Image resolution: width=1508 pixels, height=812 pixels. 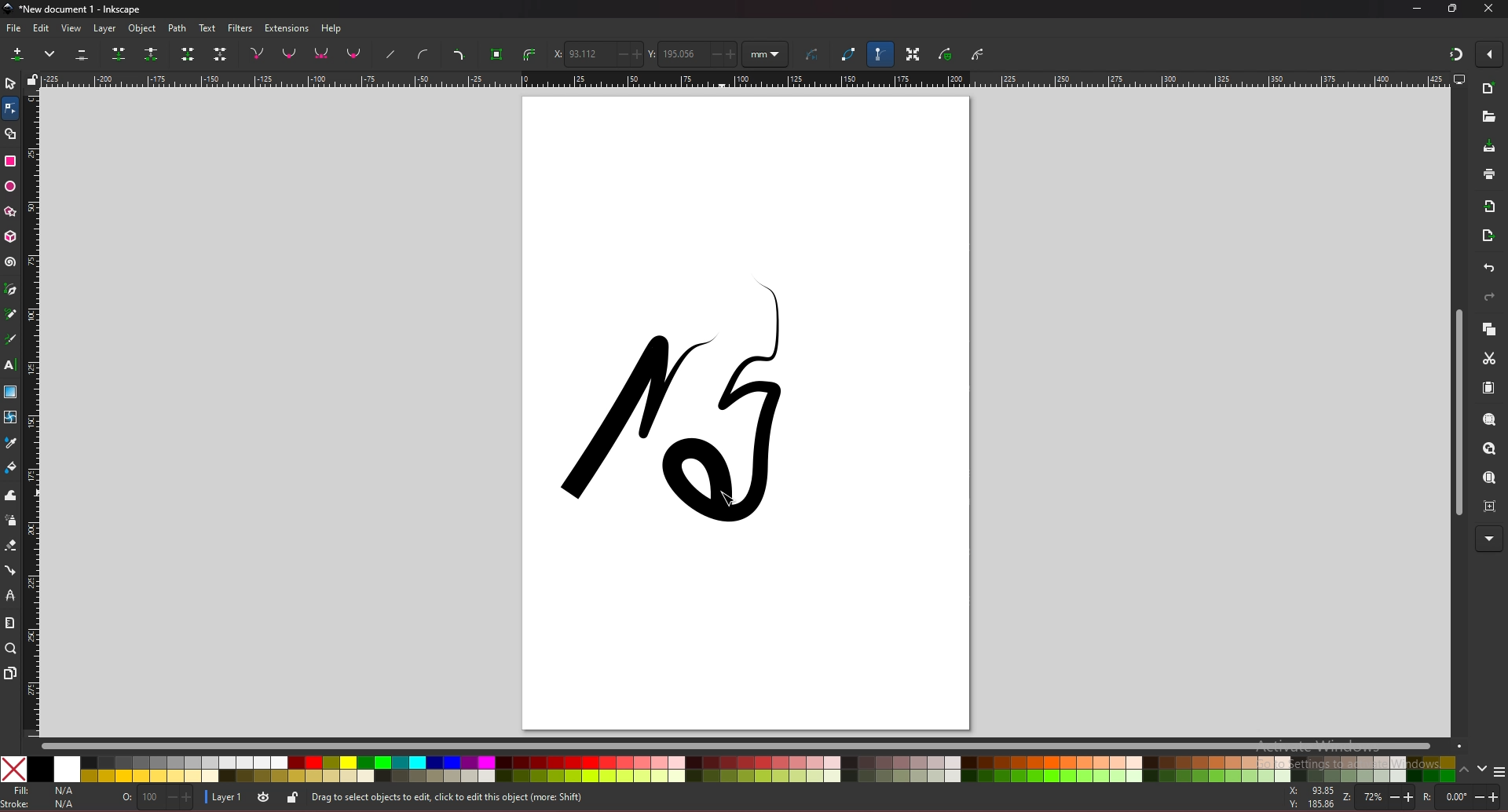 What do you see at coordinates (726, 498) in the screenshot?
I see `cursor` at bounding box center [726, 498].